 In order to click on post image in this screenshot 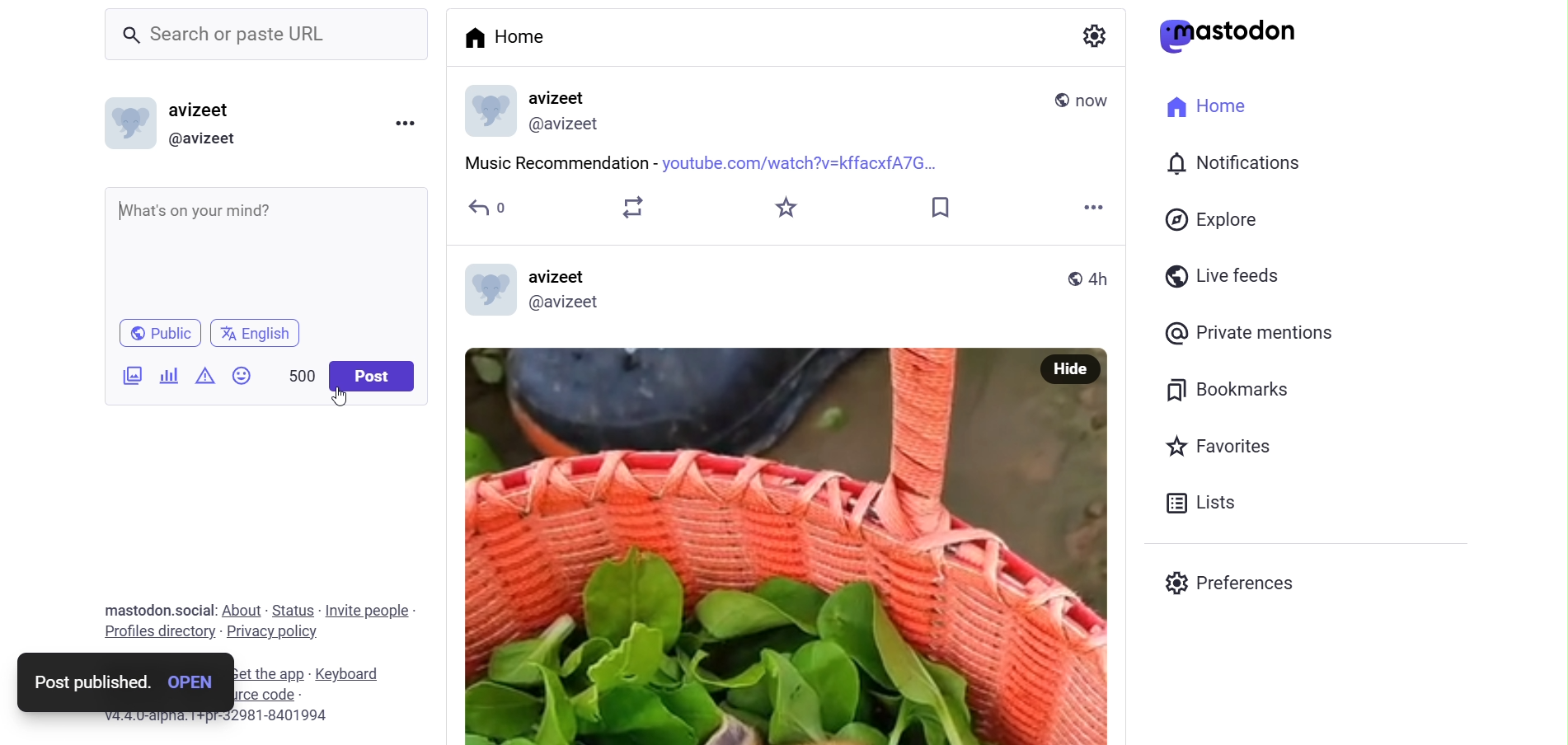, I will do `click(736, 546)`.